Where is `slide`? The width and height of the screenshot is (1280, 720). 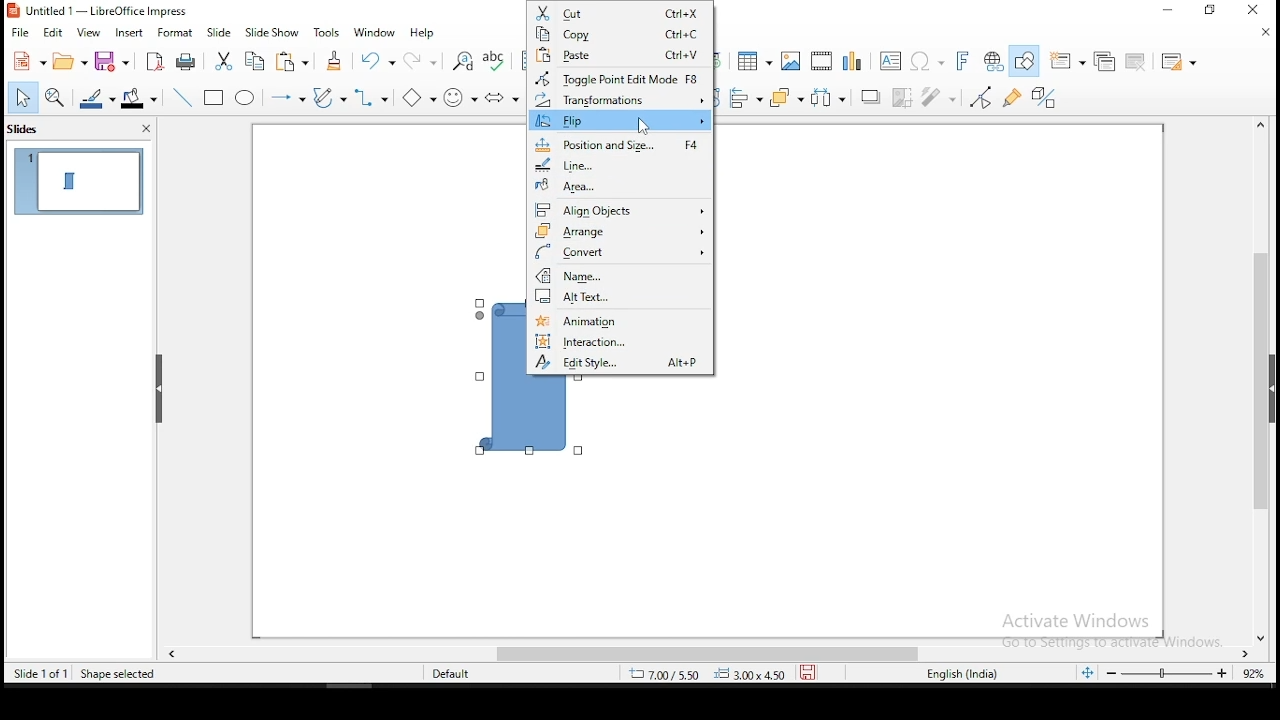 slide is located at coordinates (217, 33).